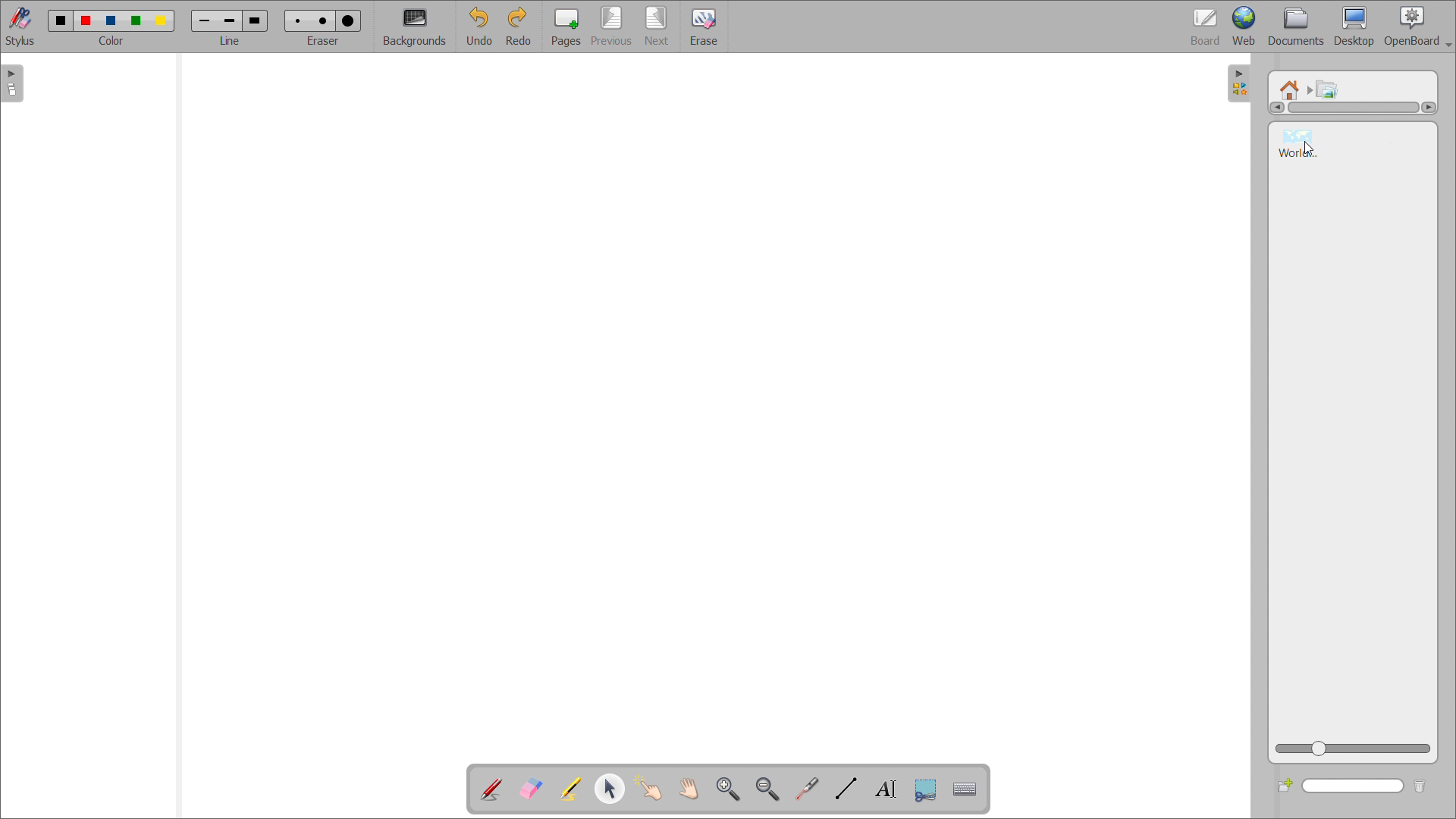 The height and width of the screenshot is (819, 1456). What do you see at coordinates (111, 27) in the screenshot?
I see `select color` at bounding box center [111, 27].